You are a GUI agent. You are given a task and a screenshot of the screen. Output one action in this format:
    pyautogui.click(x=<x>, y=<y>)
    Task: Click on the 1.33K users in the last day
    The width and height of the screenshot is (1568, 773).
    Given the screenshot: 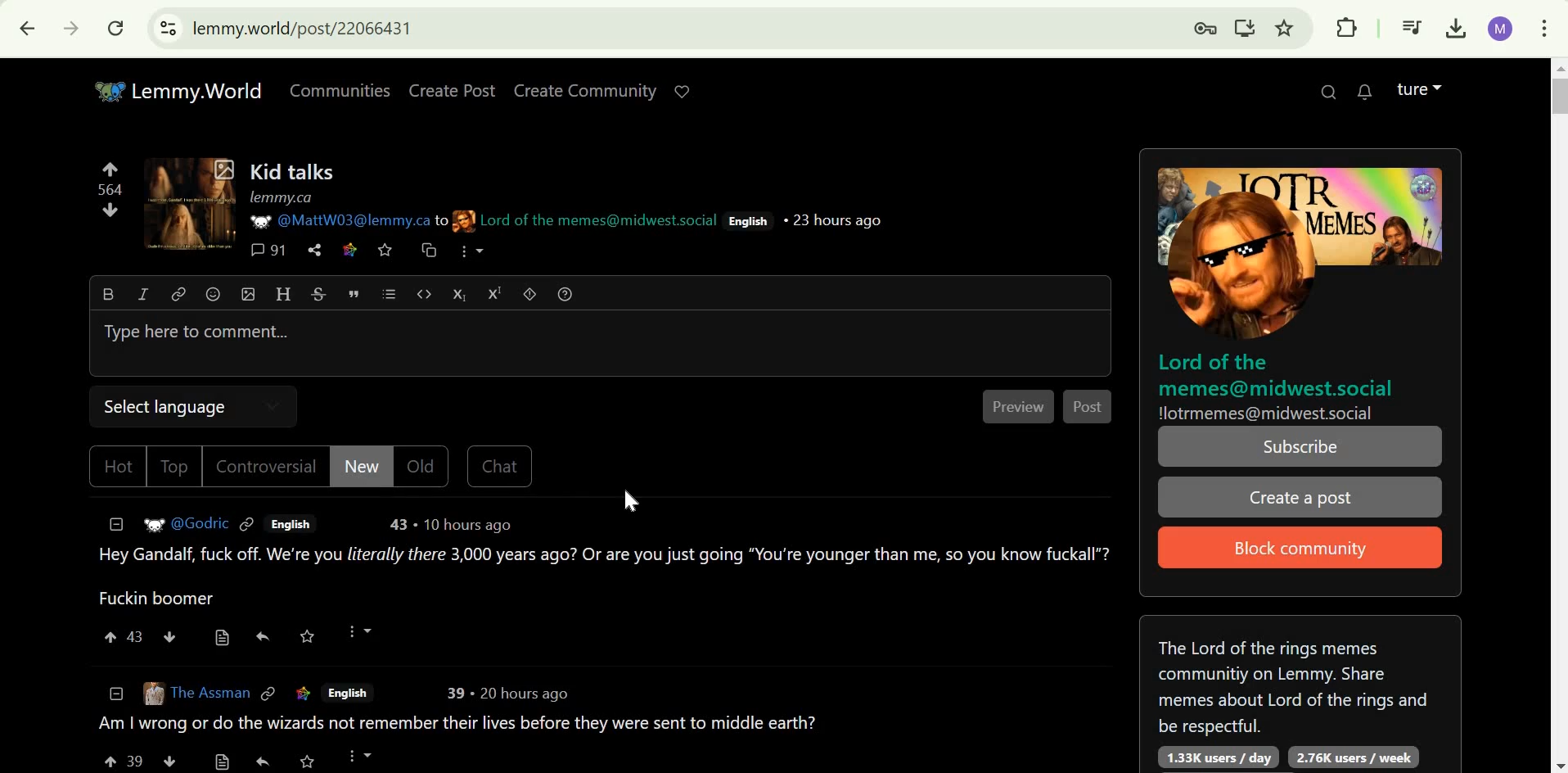 What is the action you would take?
    pyautogui.click(x=1213, y=757)
    